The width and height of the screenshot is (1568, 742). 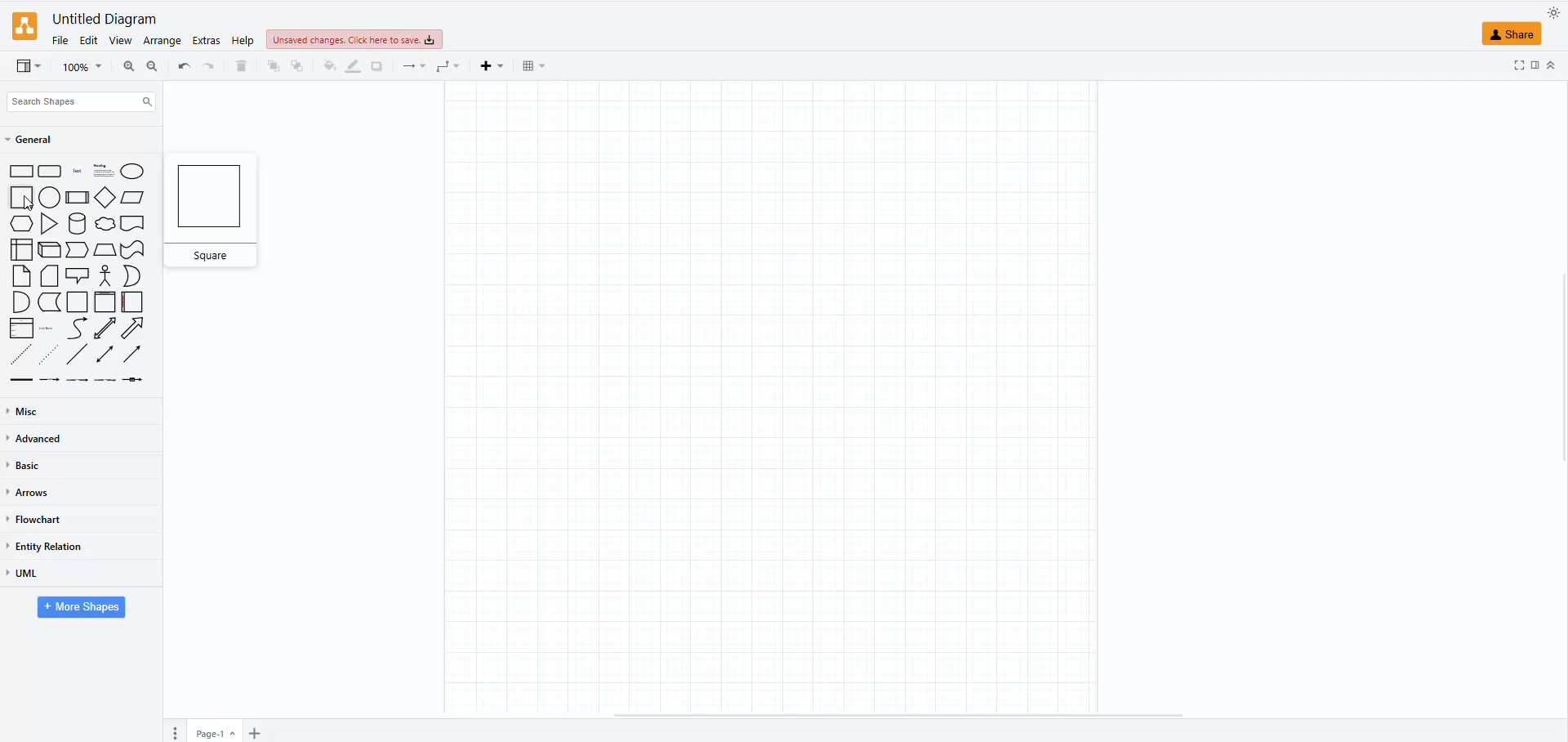 I want to click on file, so click(x=60, y=42).